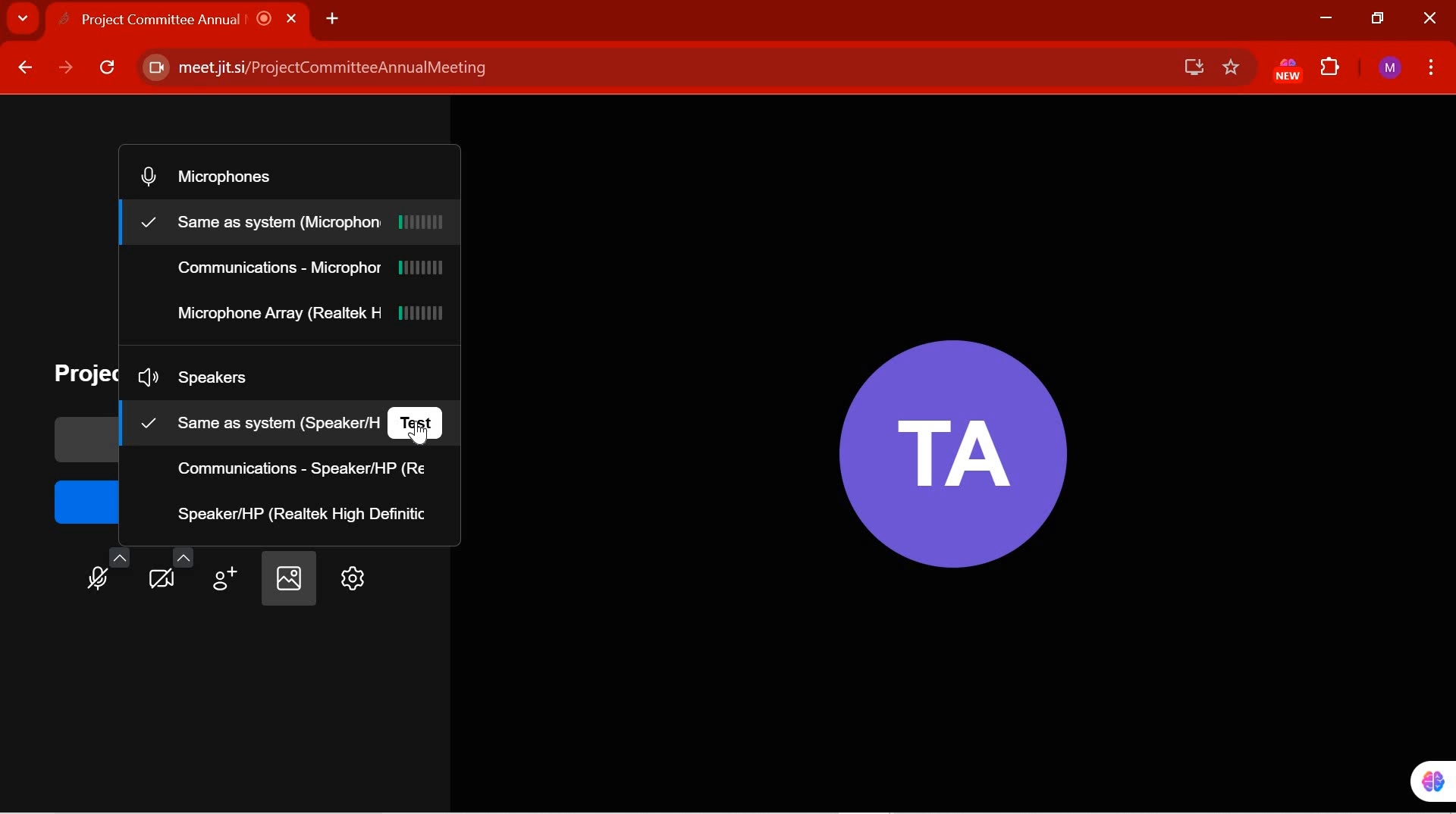 The width and height of the screenshot is (1456, 814). Describe the element at coordinates (154, 68) in the screenshot. I see `Camera enabled` at that location.